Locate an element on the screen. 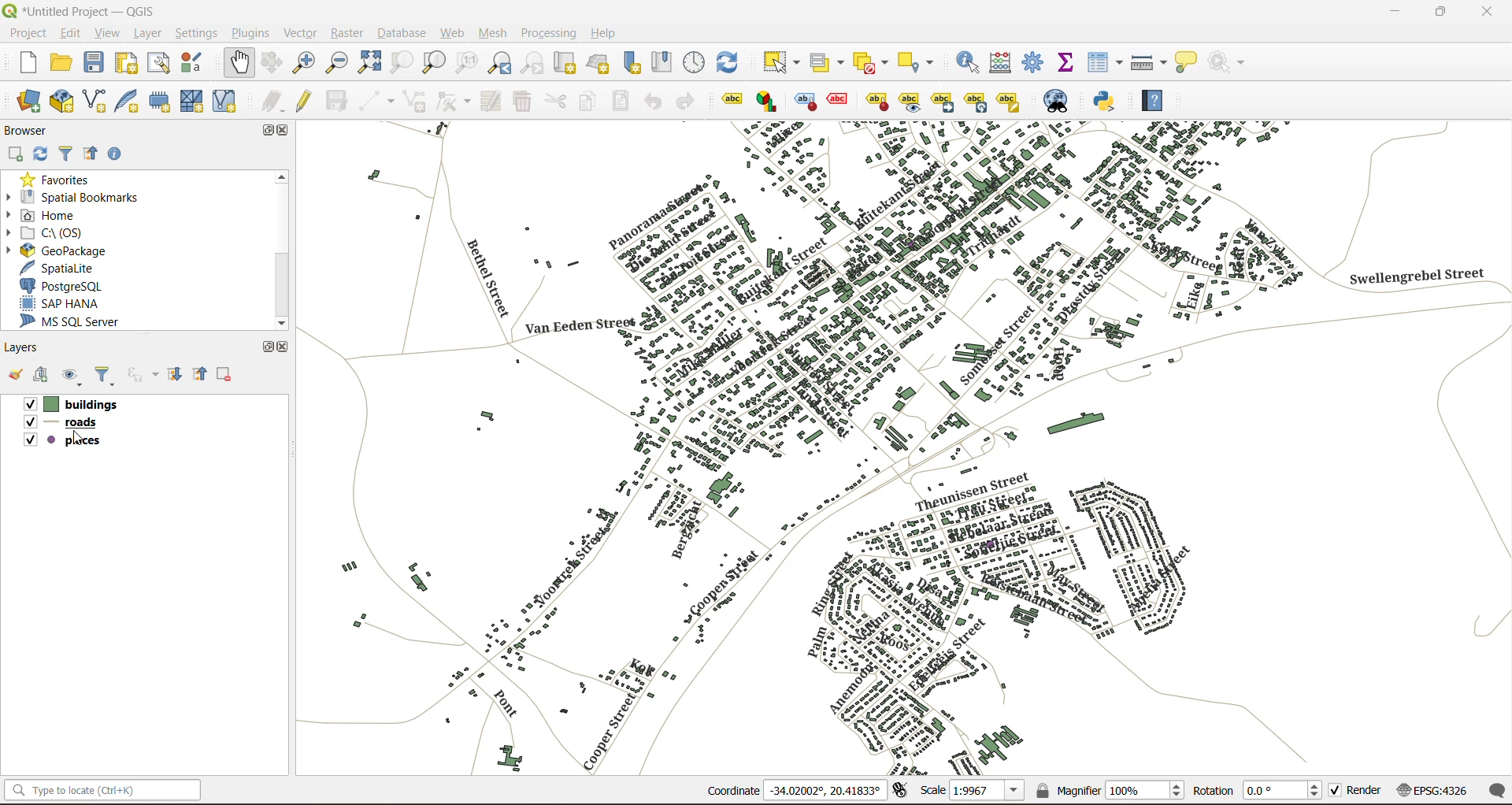 This screenshot has width=1512, height=805. view is located at coordinates (108, 34).